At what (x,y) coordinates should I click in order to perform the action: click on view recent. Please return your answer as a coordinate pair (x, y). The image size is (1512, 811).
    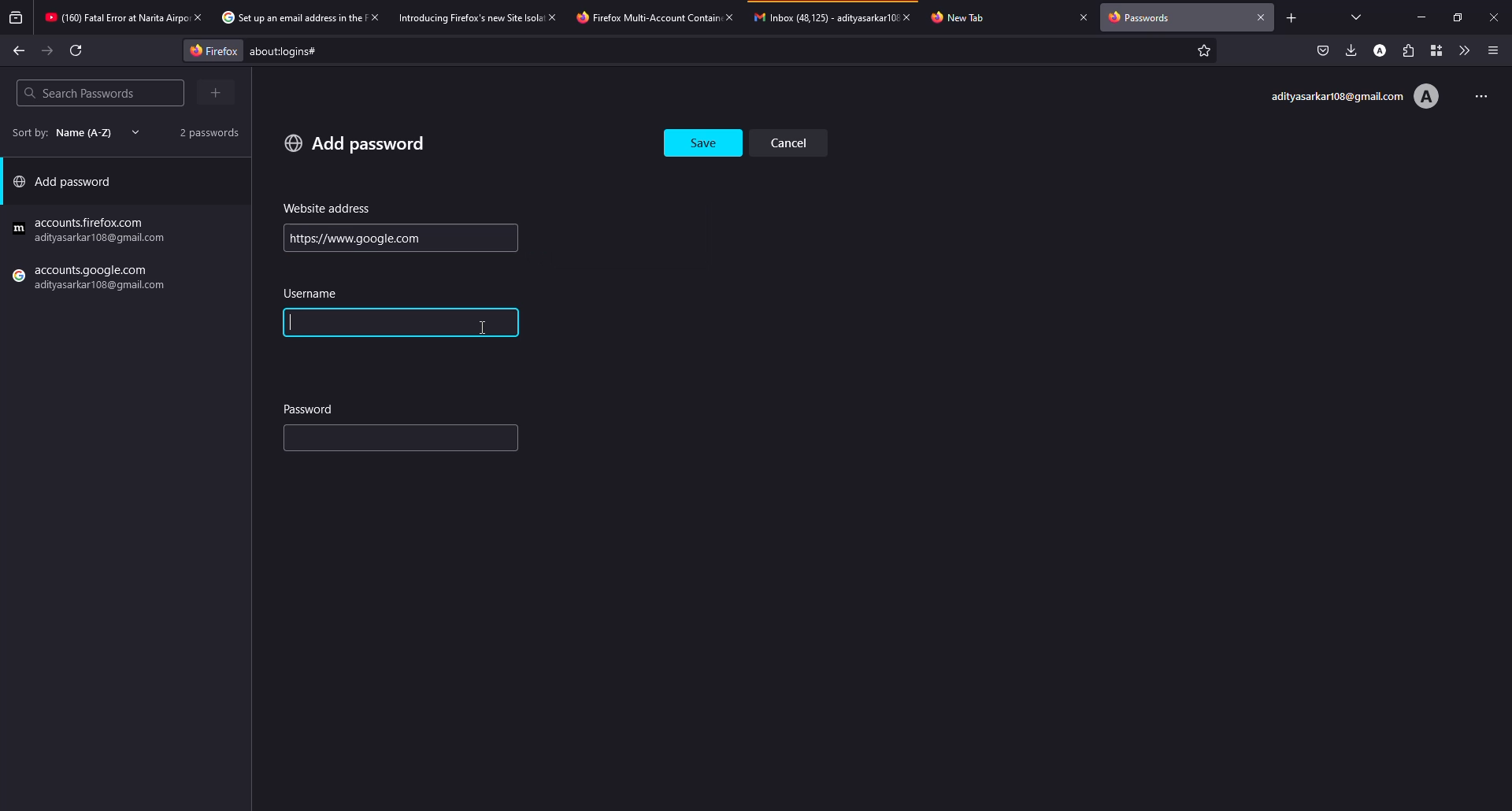
    Looking at the image, I should click on (17, 18).